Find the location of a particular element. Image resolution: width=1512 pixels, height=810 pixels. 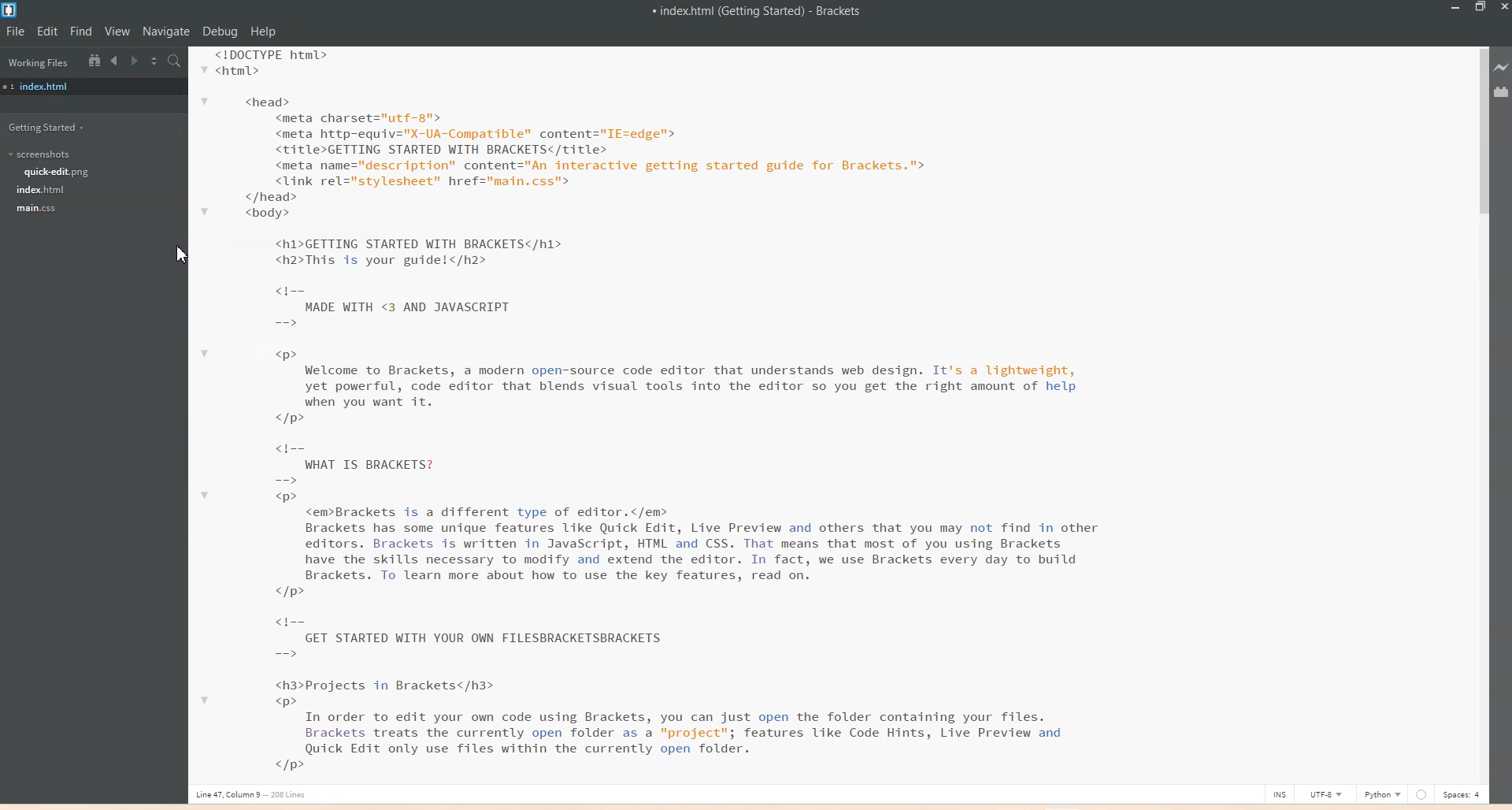

Navigate Forward is located at coordinates (136, 61).